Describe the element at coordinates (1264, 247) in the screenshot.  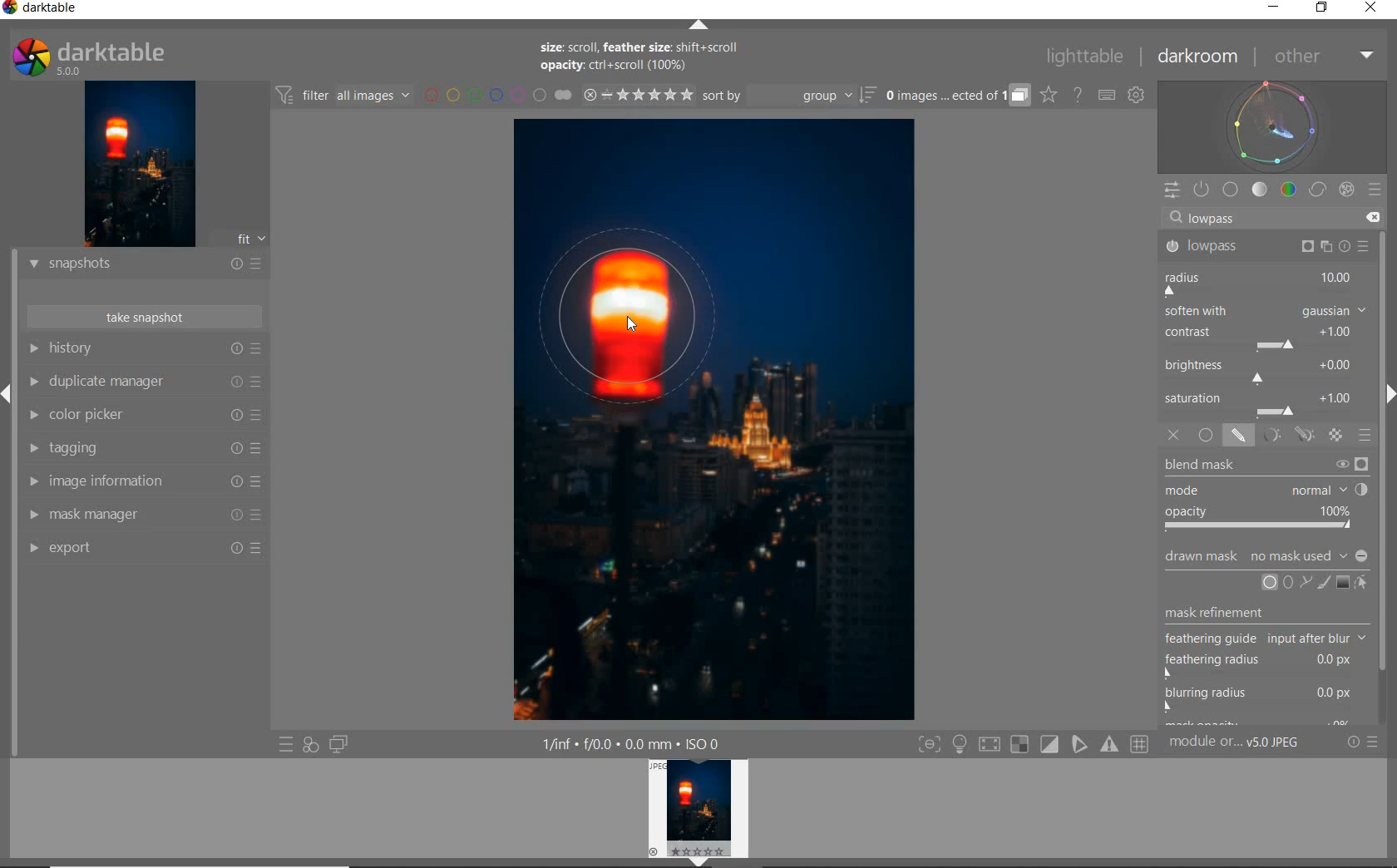
I see `LOWPASS` at that location.